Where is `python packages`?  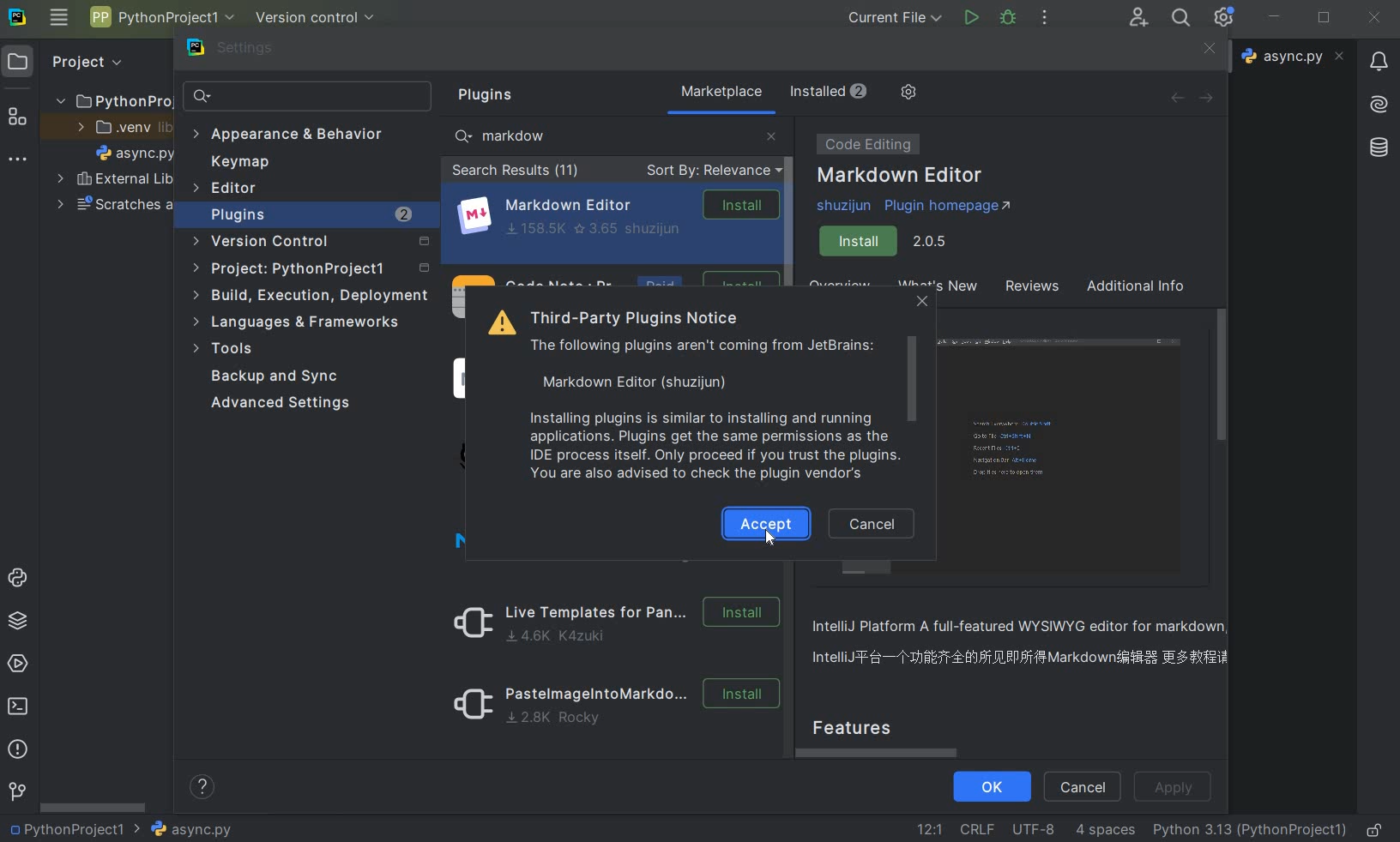
python packages is located at coordinates (16, 622).